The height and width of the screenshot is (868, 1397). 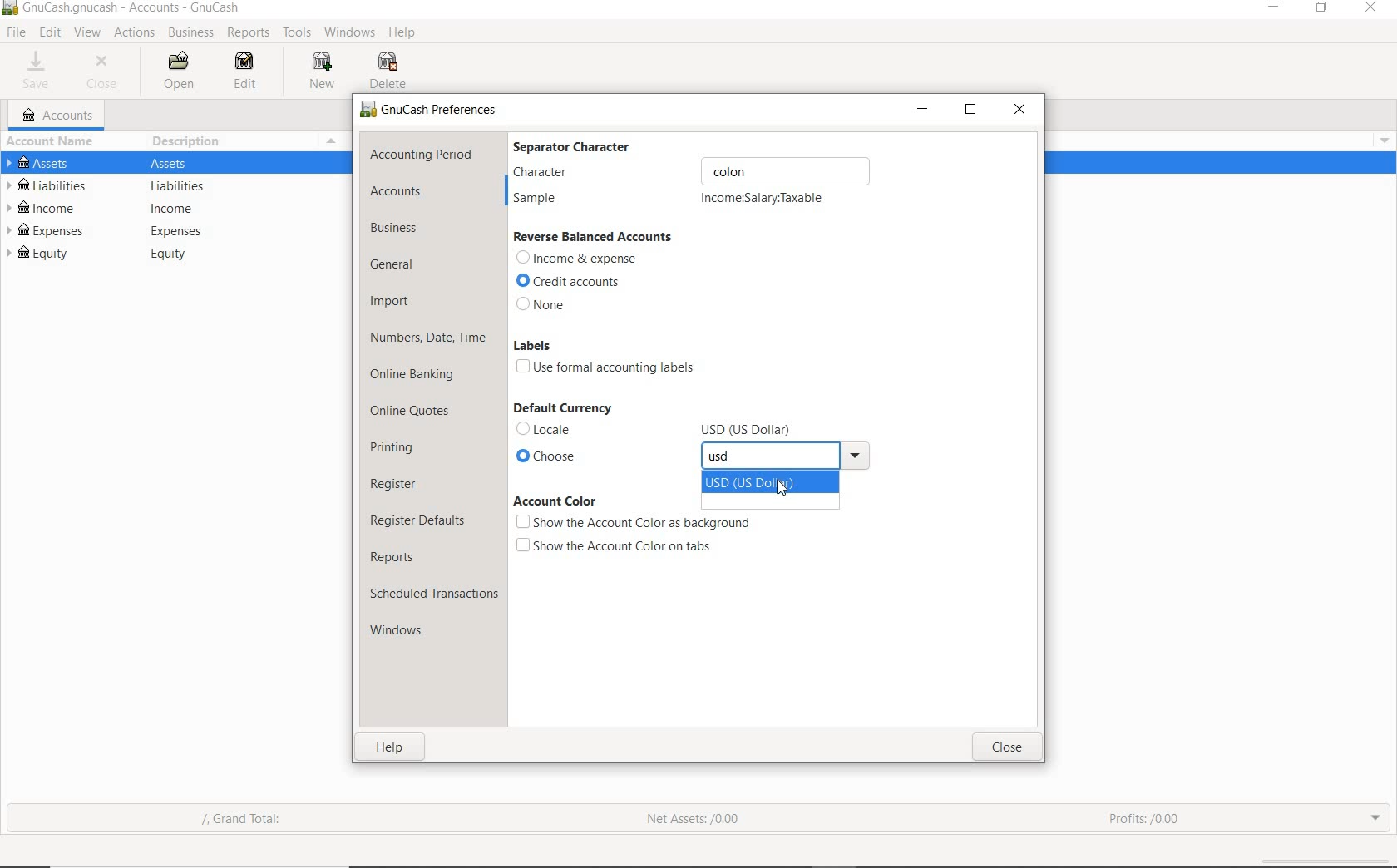 What do you see at coordinates (1021, 108) in the screenshot?
I see `close` at bounding box center [1021, 108].